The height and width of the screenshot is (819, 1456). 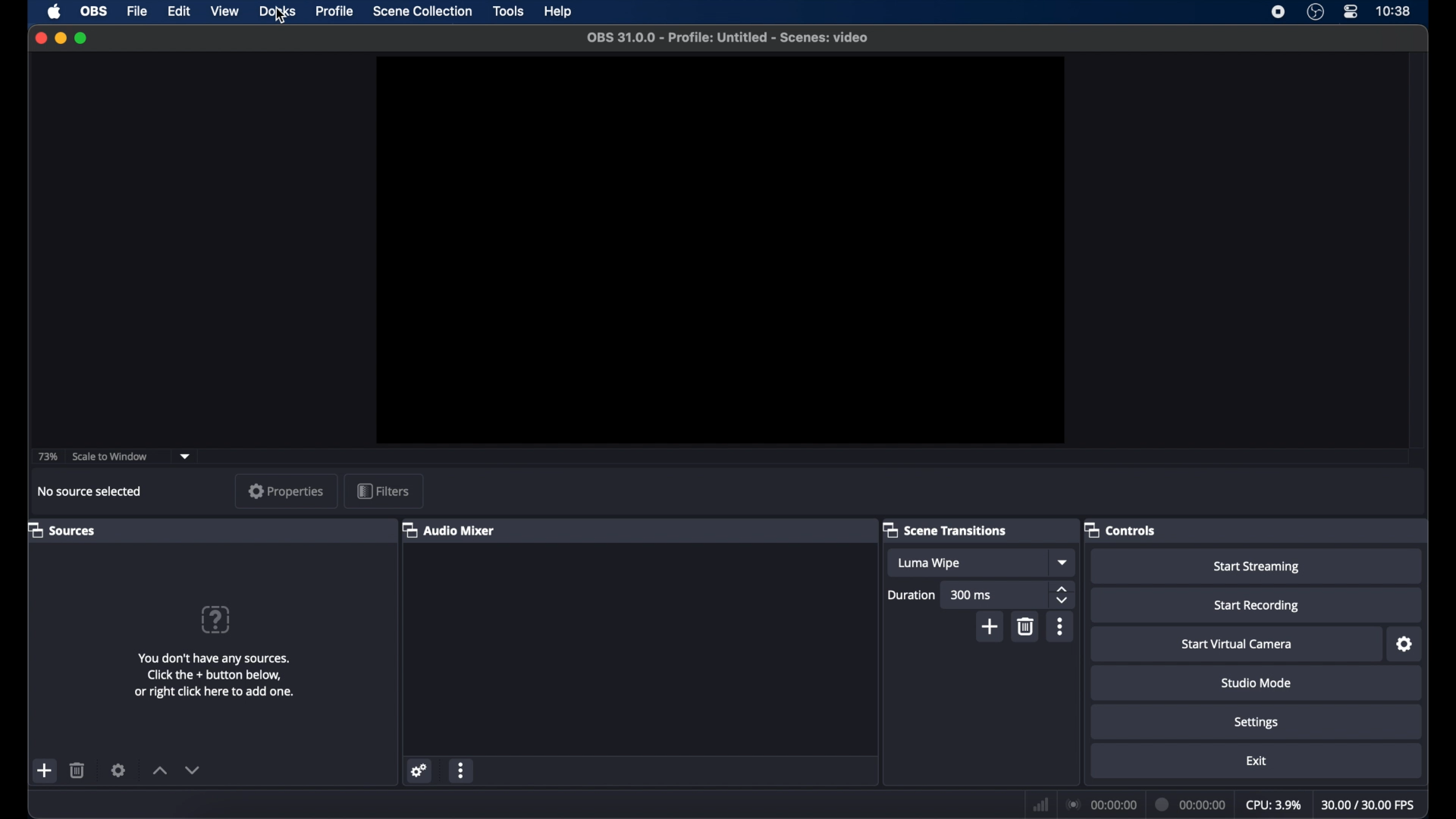 What do you see at coordinates (158, 770) in the screenshot?
I see `increment` at bounding box center [158, 770].